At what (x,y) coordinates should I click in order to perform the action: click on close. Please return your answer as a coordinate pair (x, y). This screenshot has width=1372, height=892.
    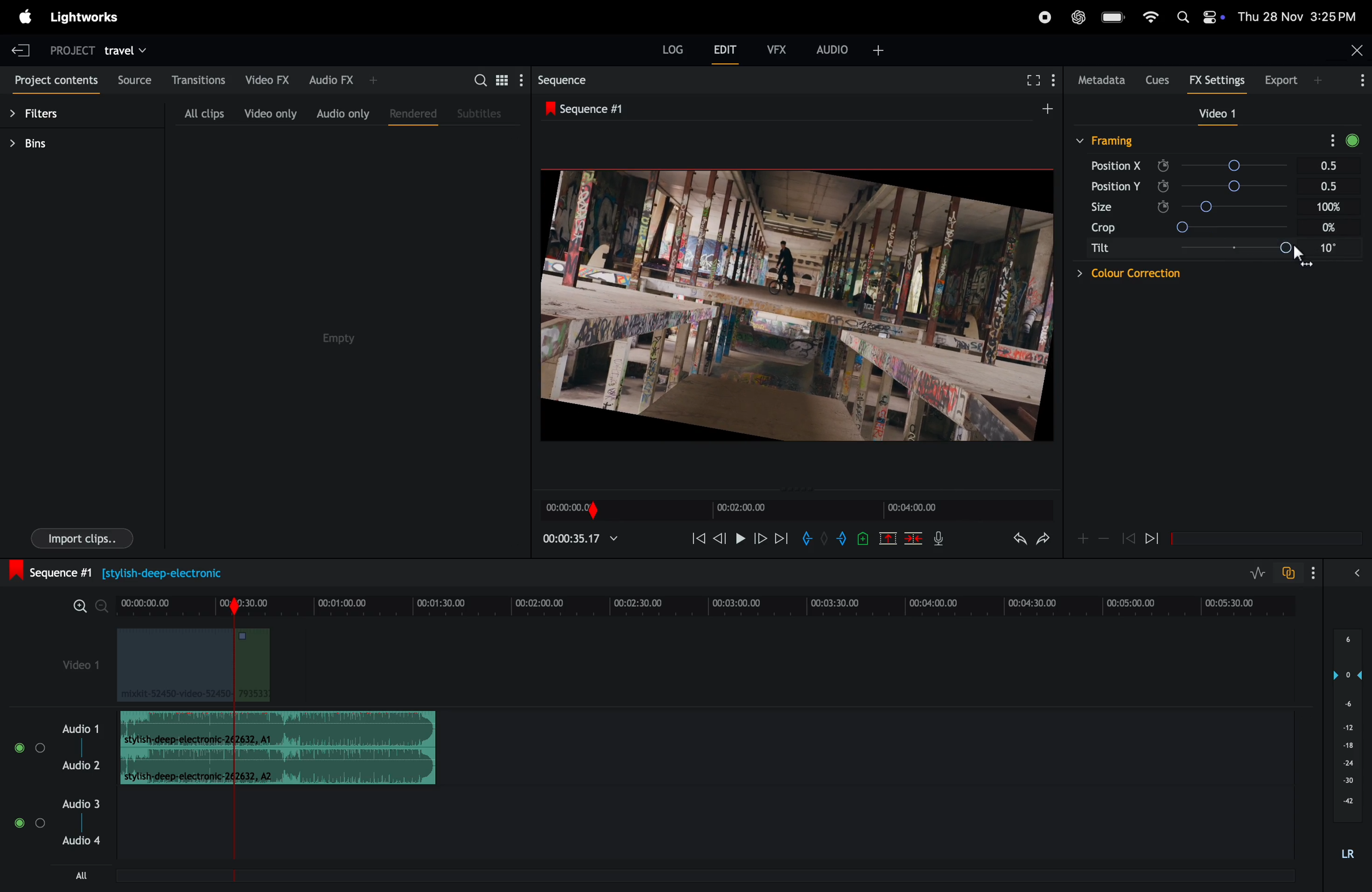
    Looking at the image, I should click on (1355, 50).